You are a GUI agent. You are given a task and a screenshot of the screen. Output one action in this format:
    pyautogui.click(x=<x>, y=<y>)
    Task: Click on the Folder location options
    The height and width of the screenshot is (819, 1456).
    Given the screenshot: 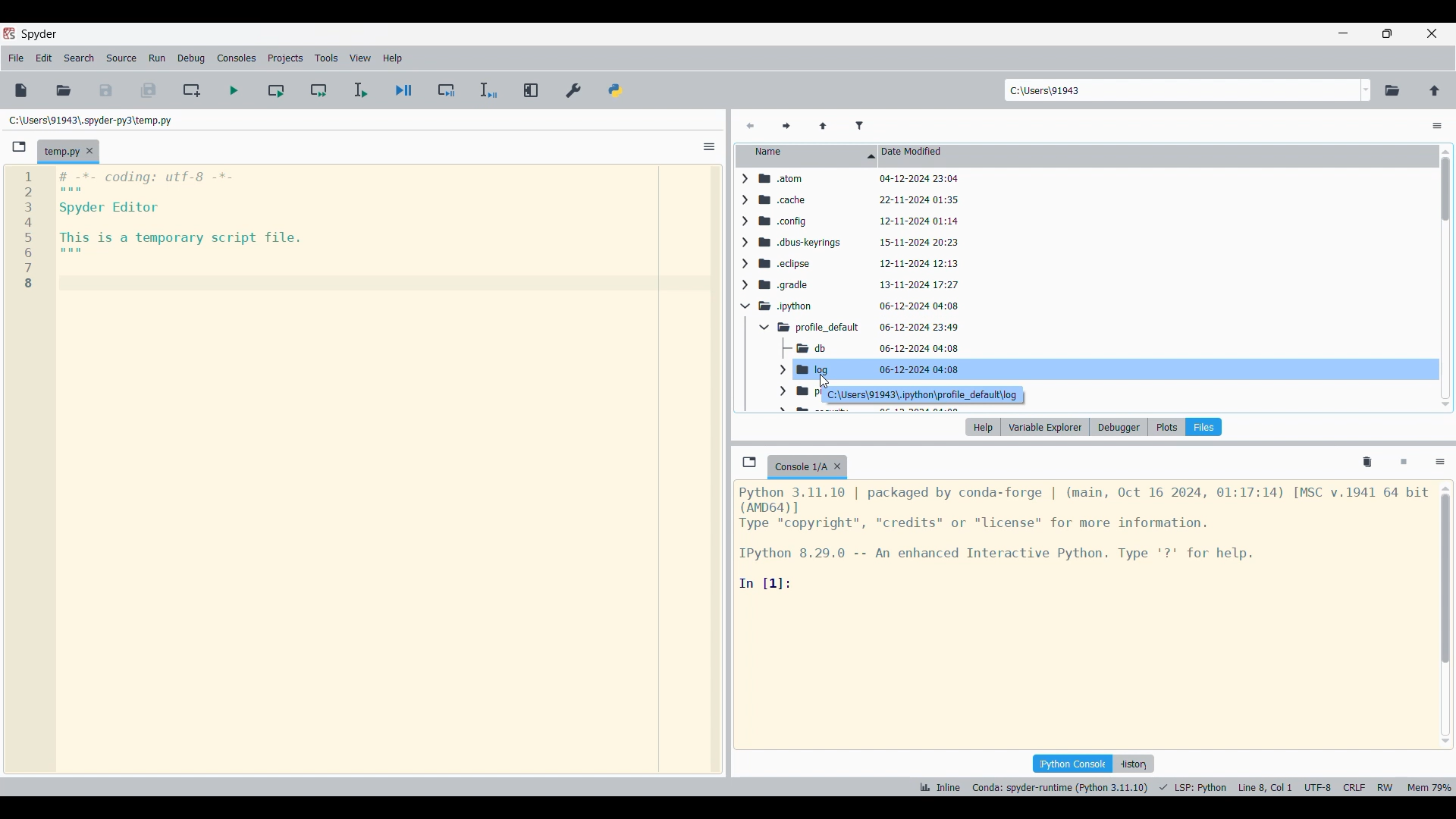 What is the action you would take?
    pyautogui.click(x=1366, y=90)
    